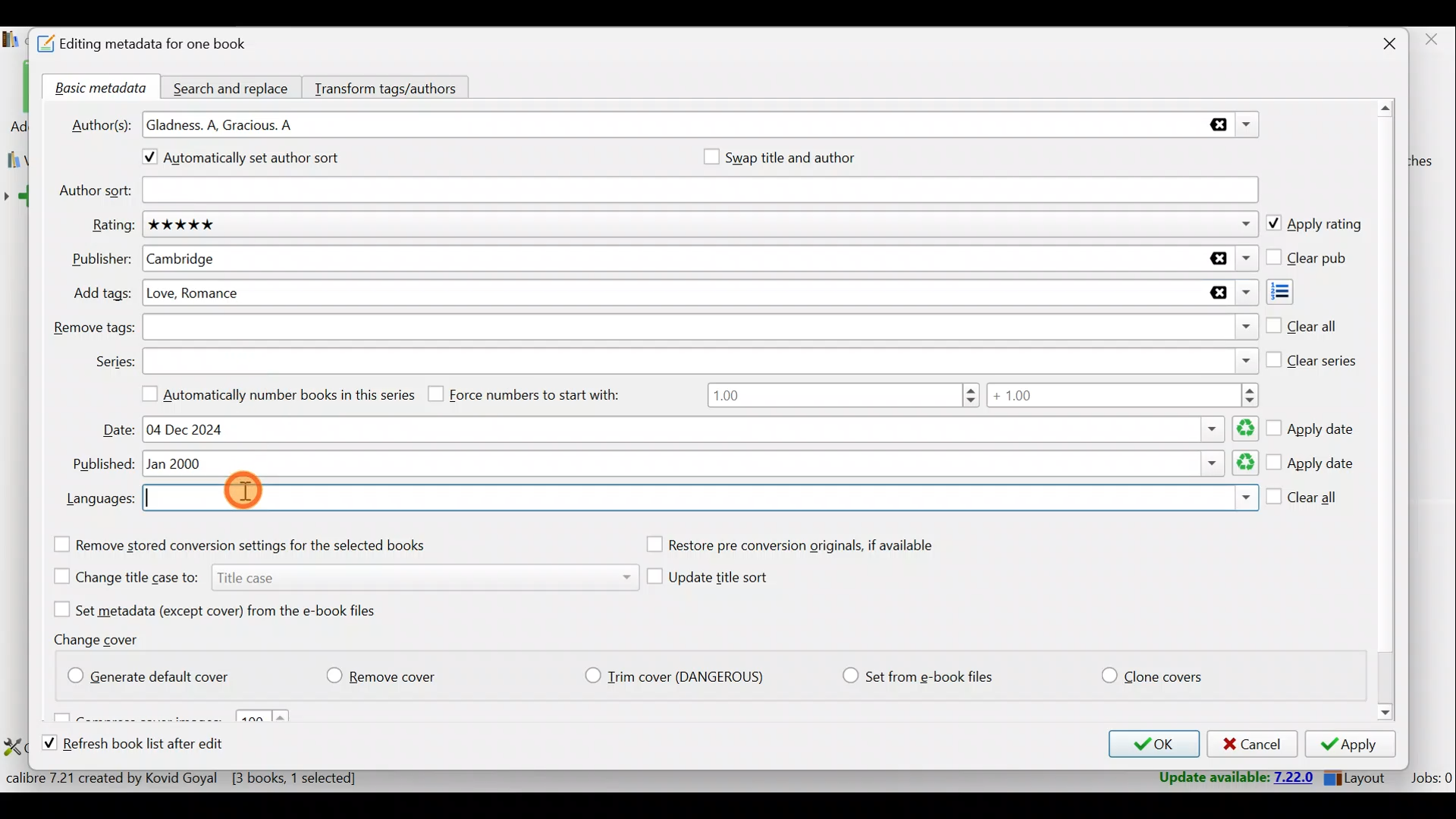 Image resolution: width=1456 pixels, height=819 pixels. What do you see at coordinates (96, 89) in the screenshot?
I see `Basic metadata` at bounding box center [96, 89].